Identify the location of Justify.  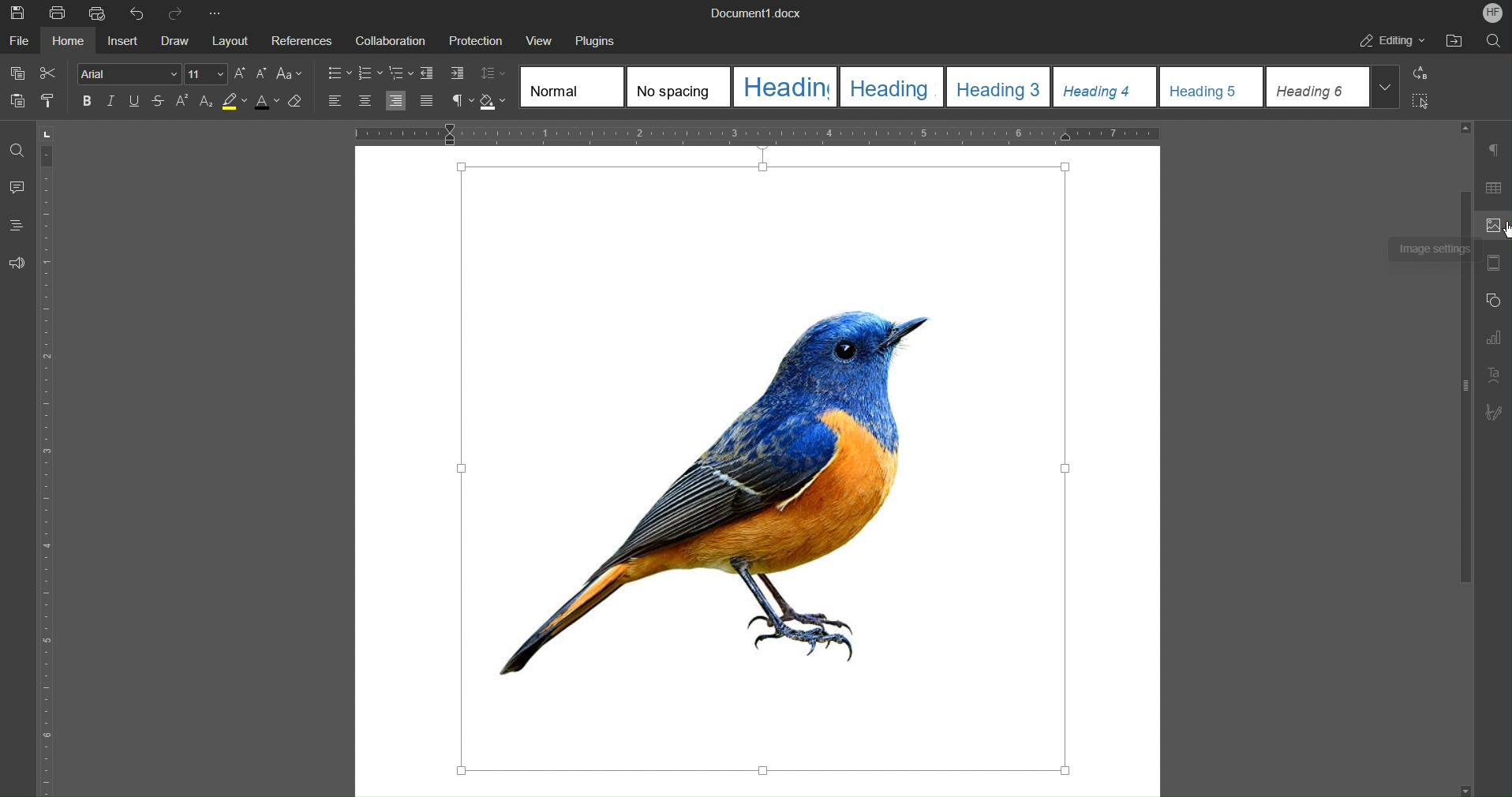
(426, 100).